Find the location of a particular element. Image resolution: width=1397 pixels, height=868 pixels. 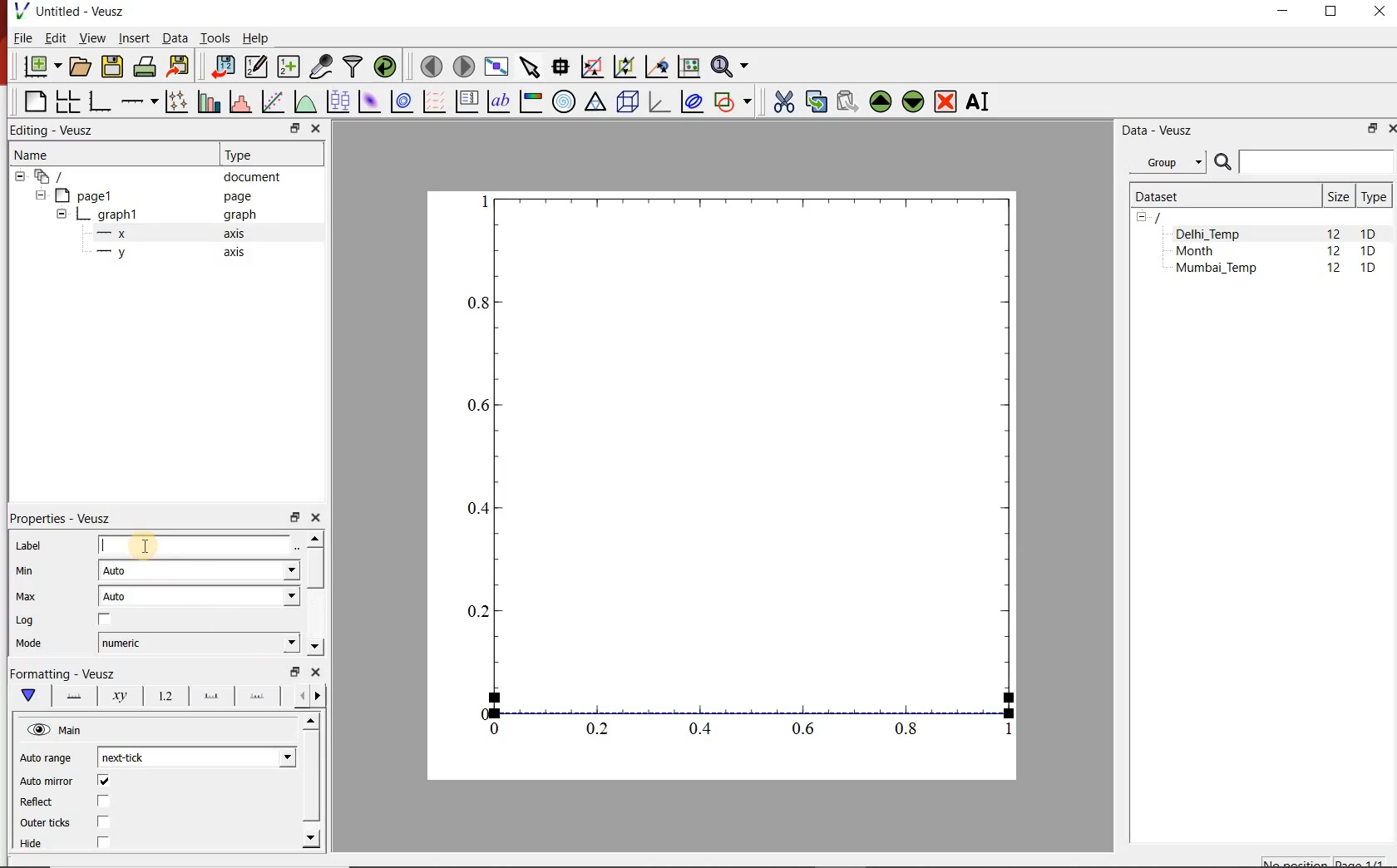

View is located at coordinates (91, 37).